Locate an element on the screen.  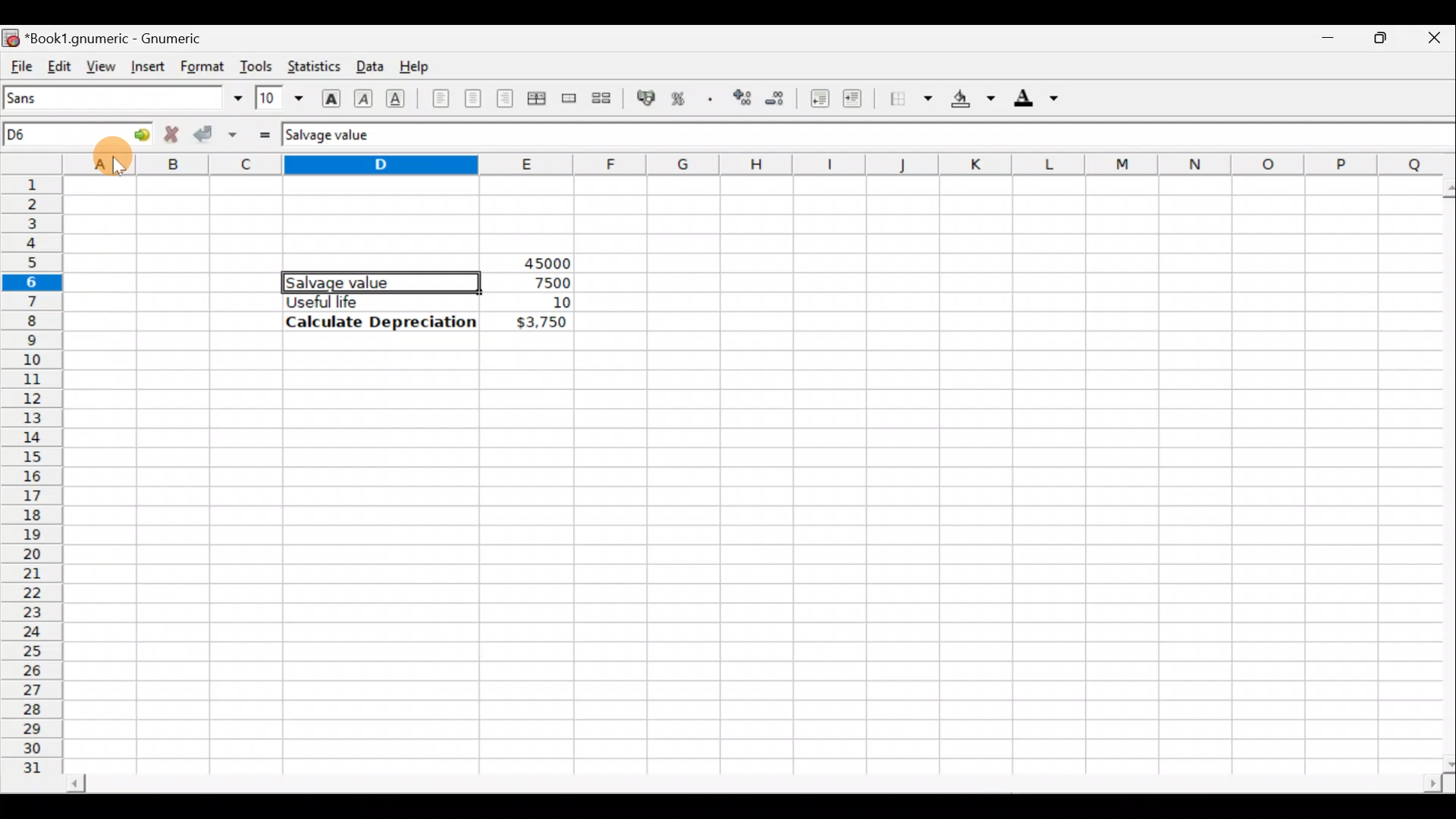
Foreground is located at coordinates (1045, 99).